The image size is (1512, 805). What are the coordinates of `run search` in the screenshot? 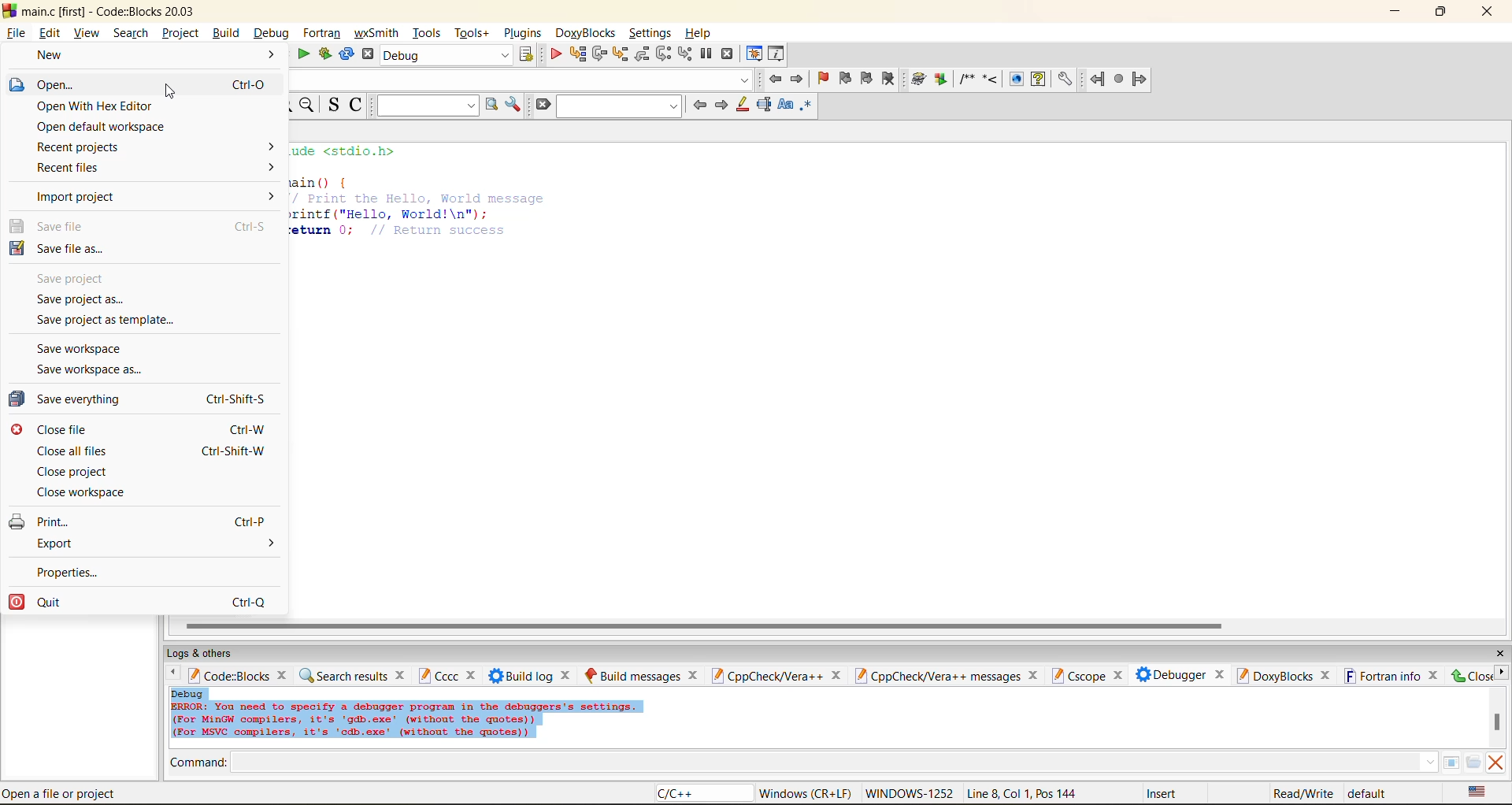 It's located at (491, 105).